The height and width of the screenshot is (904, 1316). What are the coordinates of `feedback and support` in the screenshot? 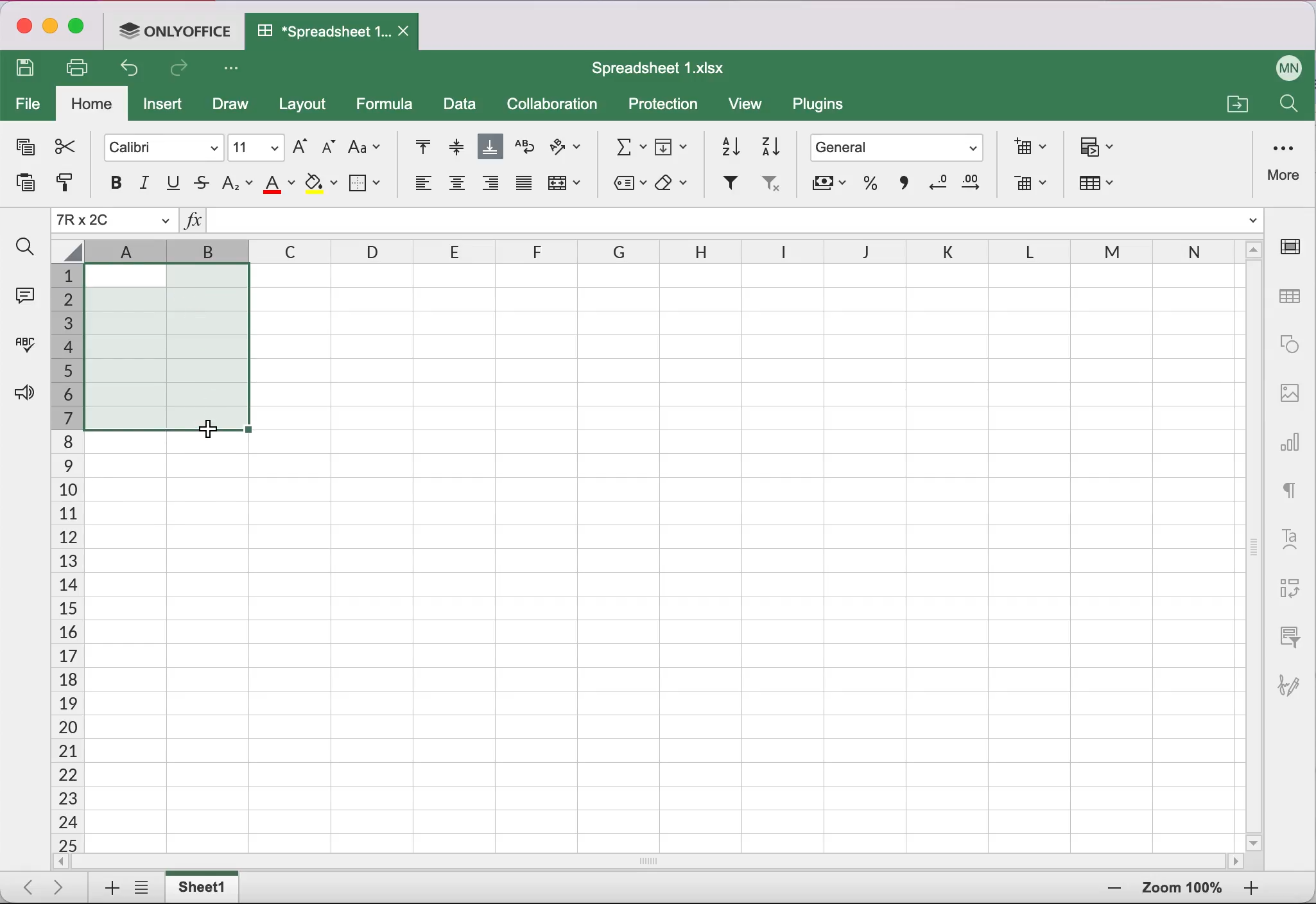 It's located at (21, 394).